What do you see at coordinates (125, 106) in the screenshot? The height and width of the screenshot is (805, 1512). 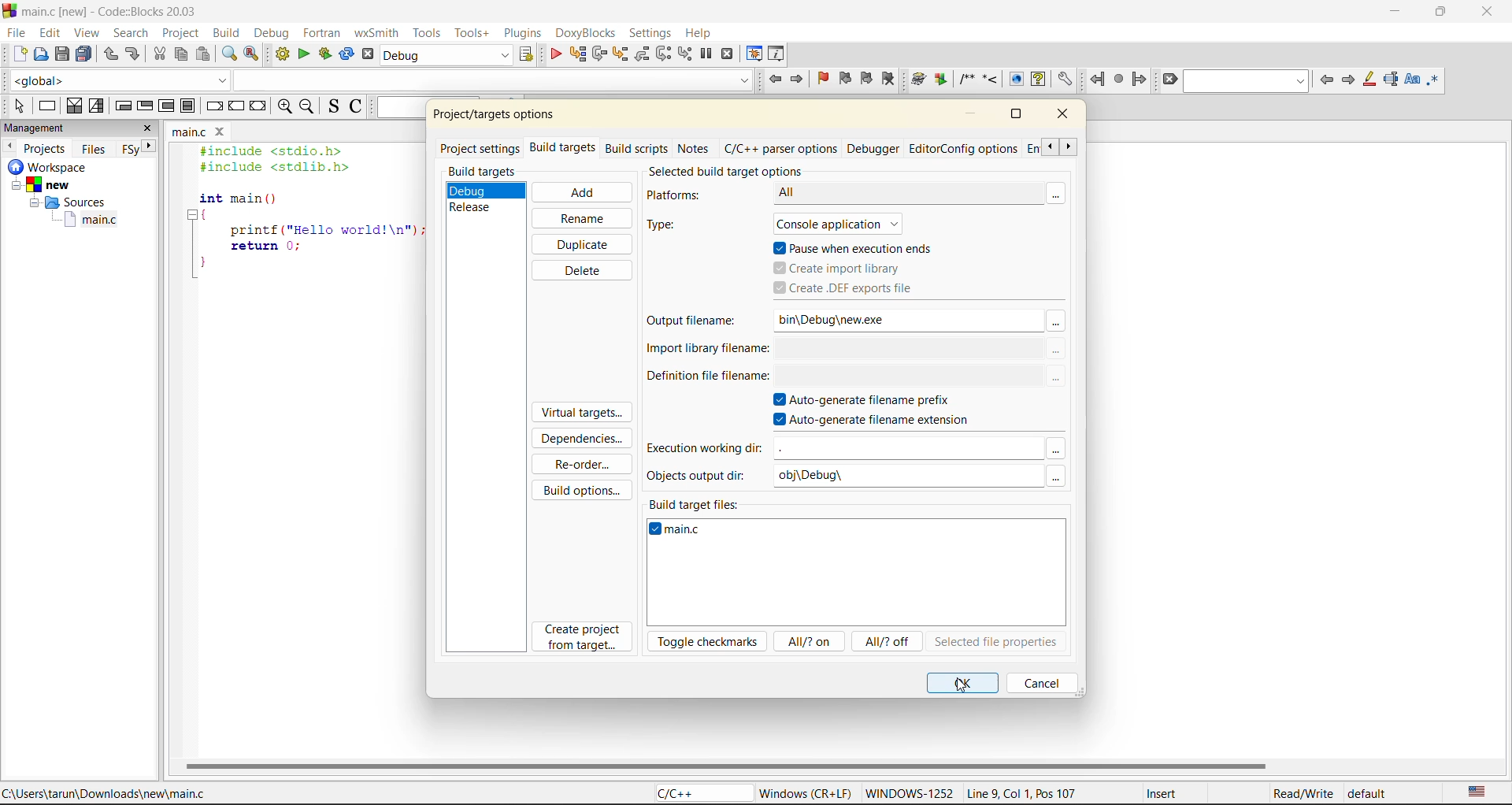 I see `entry condition loop` at bounding box center [125, 106].